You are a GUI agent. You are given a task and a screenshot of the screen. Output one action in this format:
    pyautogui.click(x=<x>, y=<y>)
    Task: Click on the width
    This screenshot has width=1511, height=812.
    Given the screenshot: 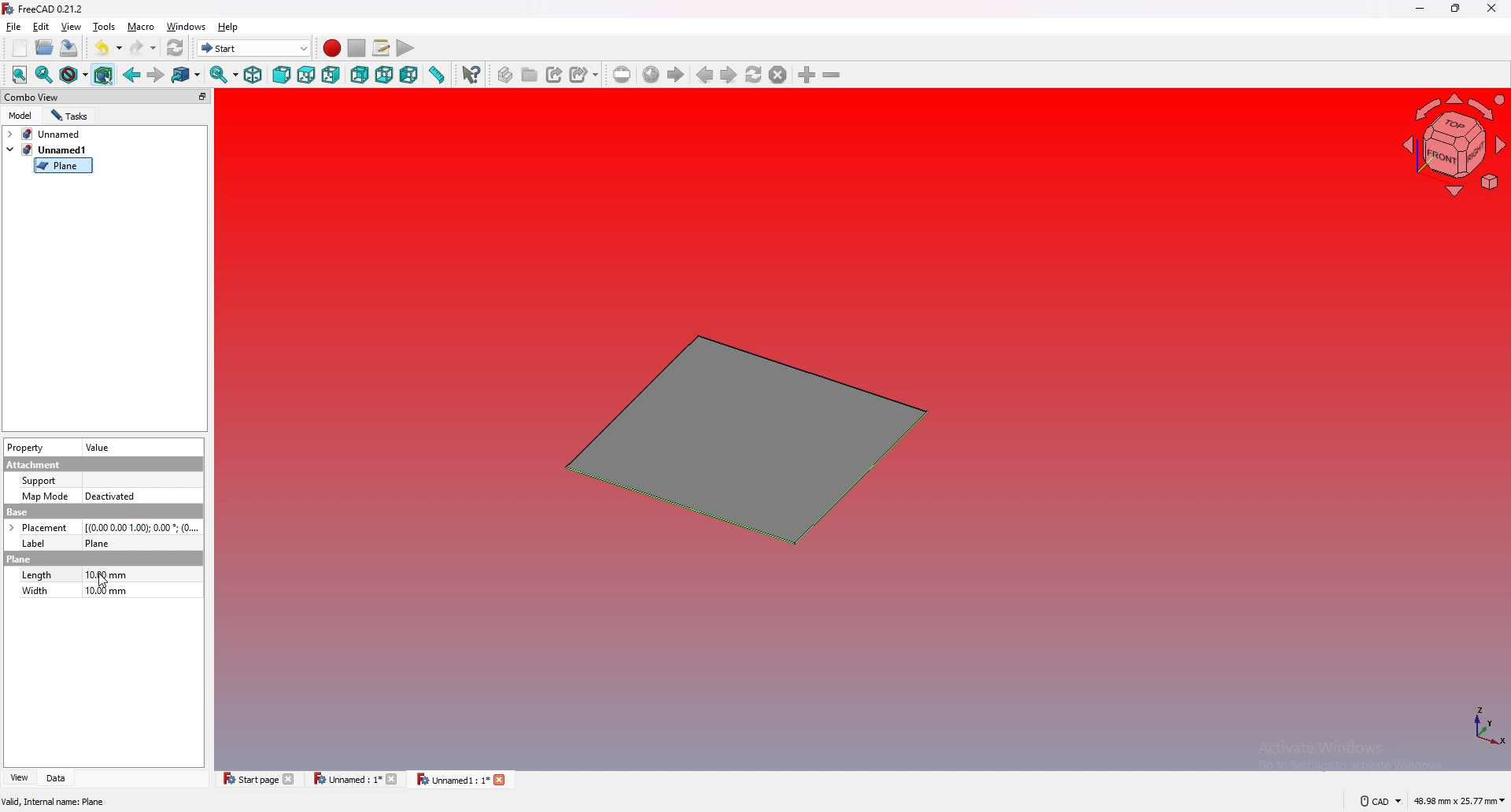 What is the action you would take?
    pyautogui.click(x=35, y=592)
    